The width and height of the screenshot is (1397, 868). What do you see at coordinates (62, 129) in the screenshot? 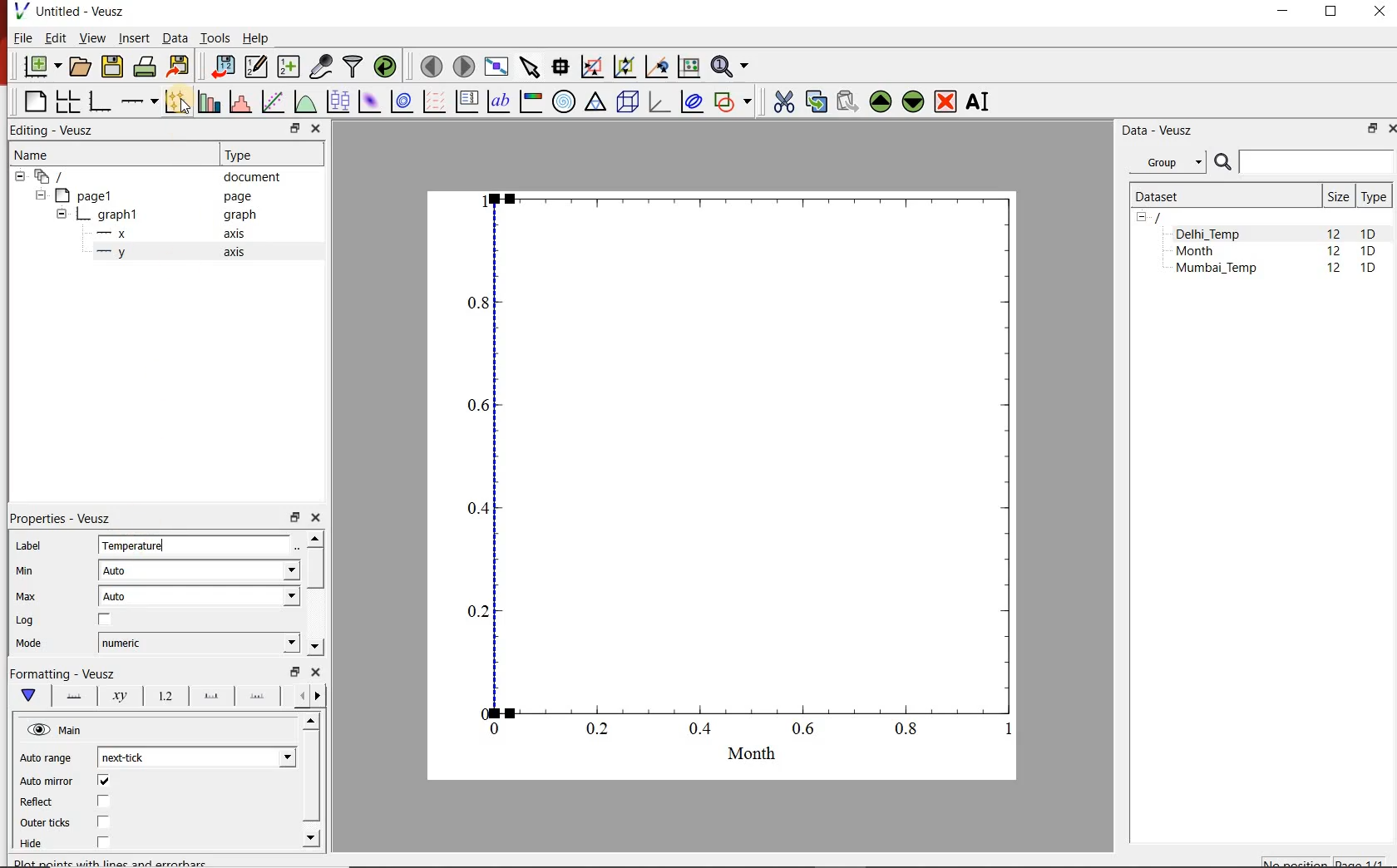
I see `Editing - Veusz` at bounding box center [62, 129].